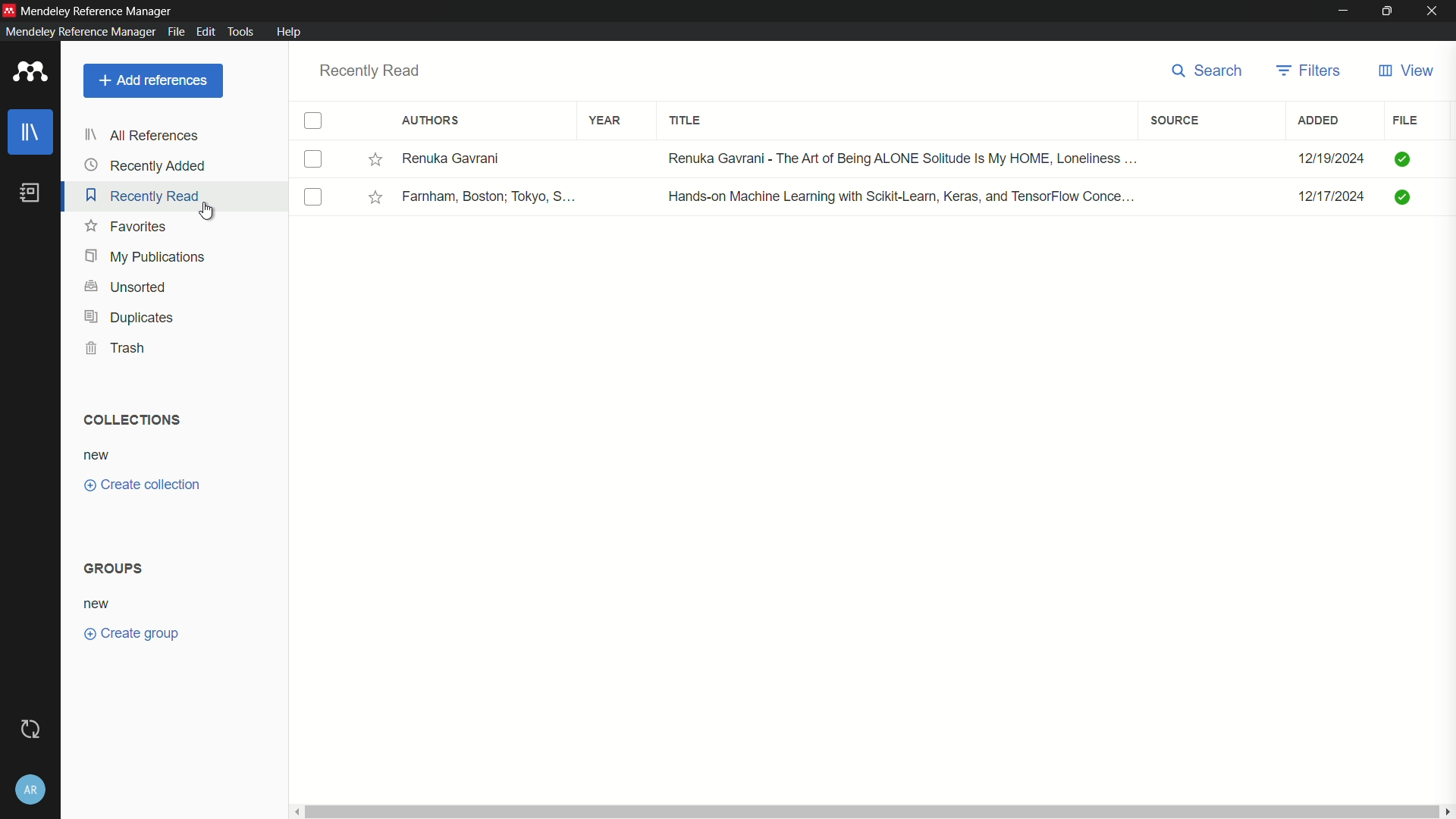 The width and height of the screenshot is (1456, 819). I want to click on Mendeley Reference Manager, so click(99, 11).